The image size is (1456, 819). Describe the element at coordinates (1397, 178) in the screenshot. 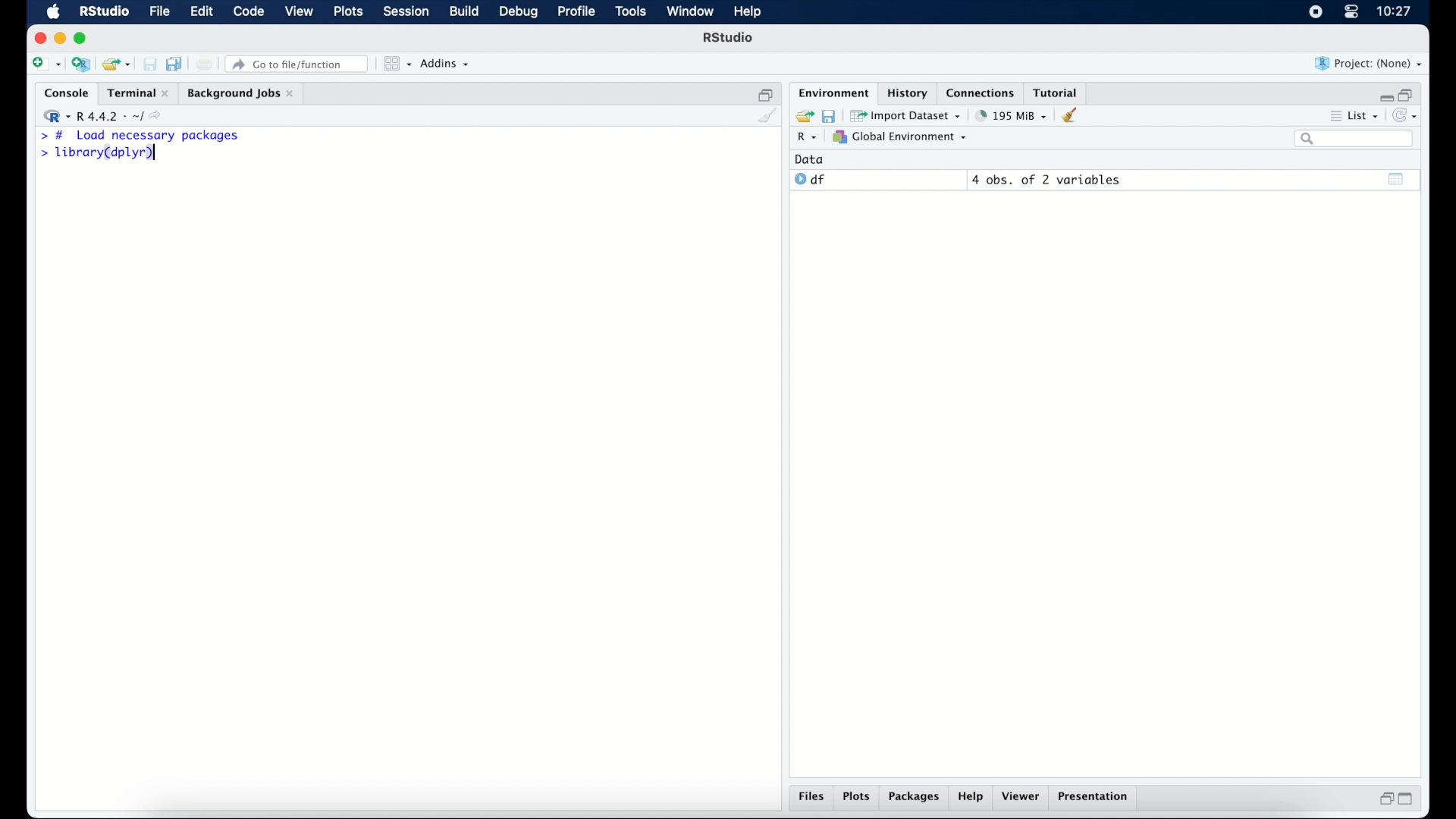

I see `show output  window` at that location.